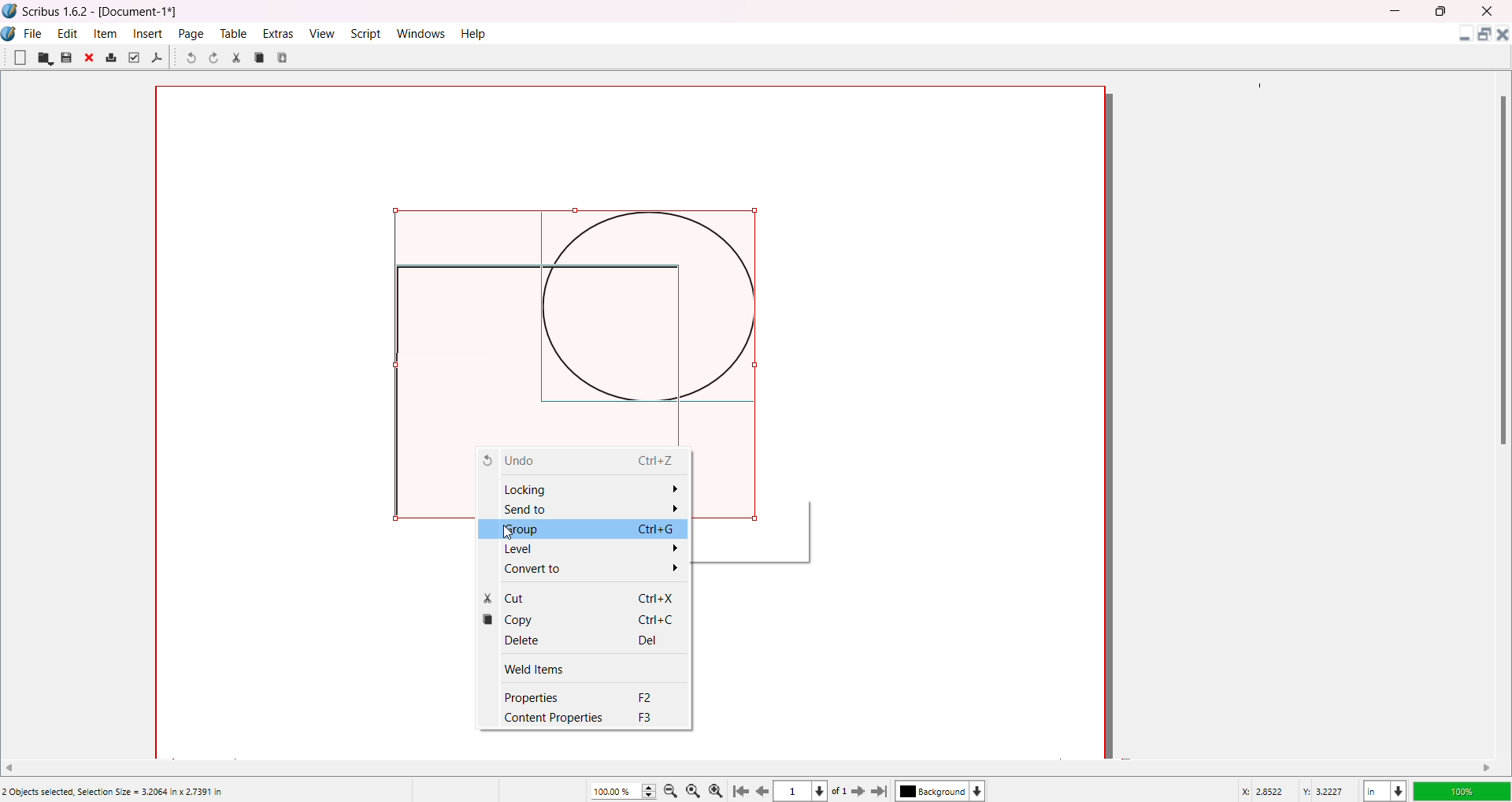  Describe the element at coordinates (133, 58) in the screenshot. I see `Preflight Verifier` at that location.